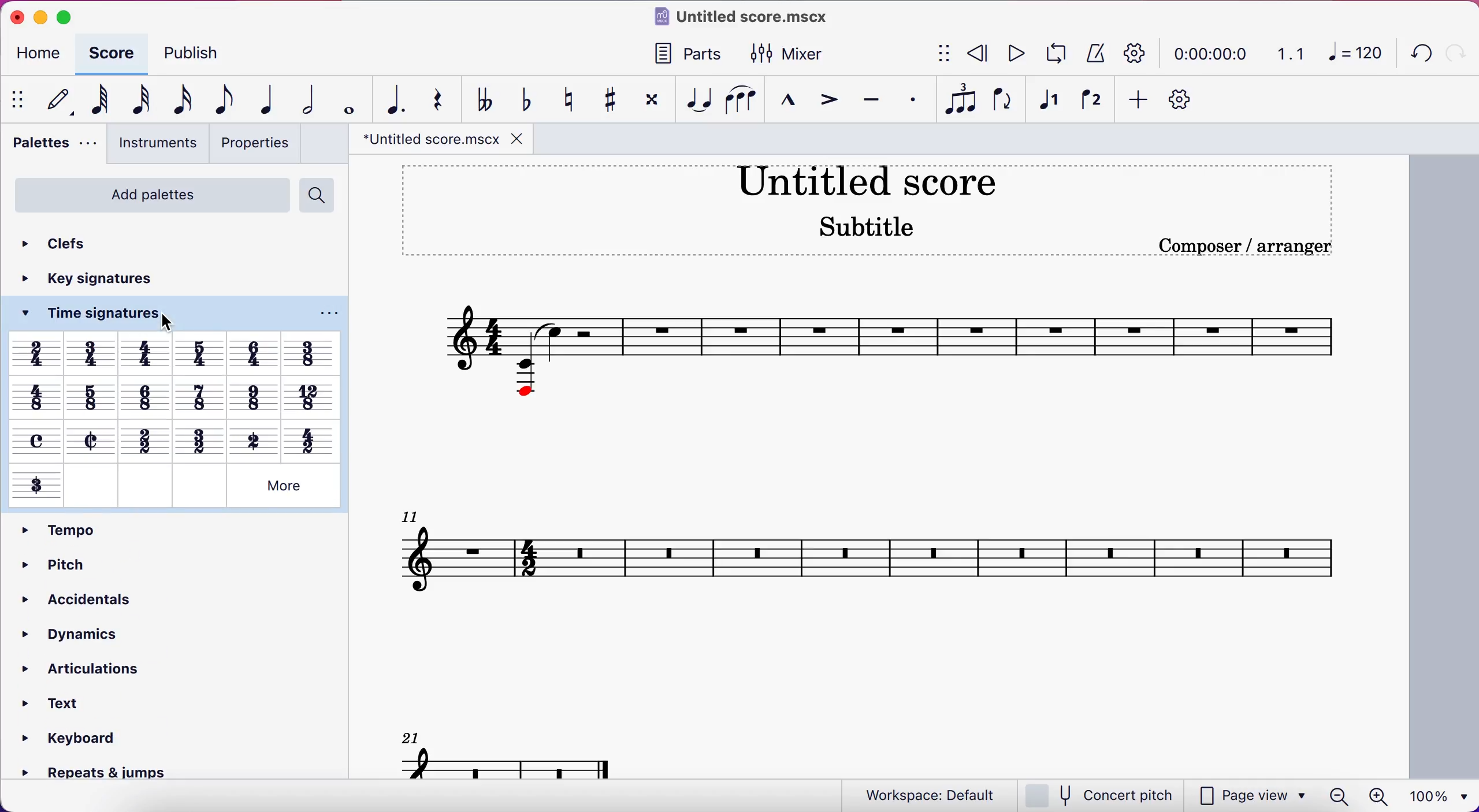  What do you see at coordinates (1211, 54) in the screenshot?
I see `0:00:00:0` at bounding box center [1211, 54].